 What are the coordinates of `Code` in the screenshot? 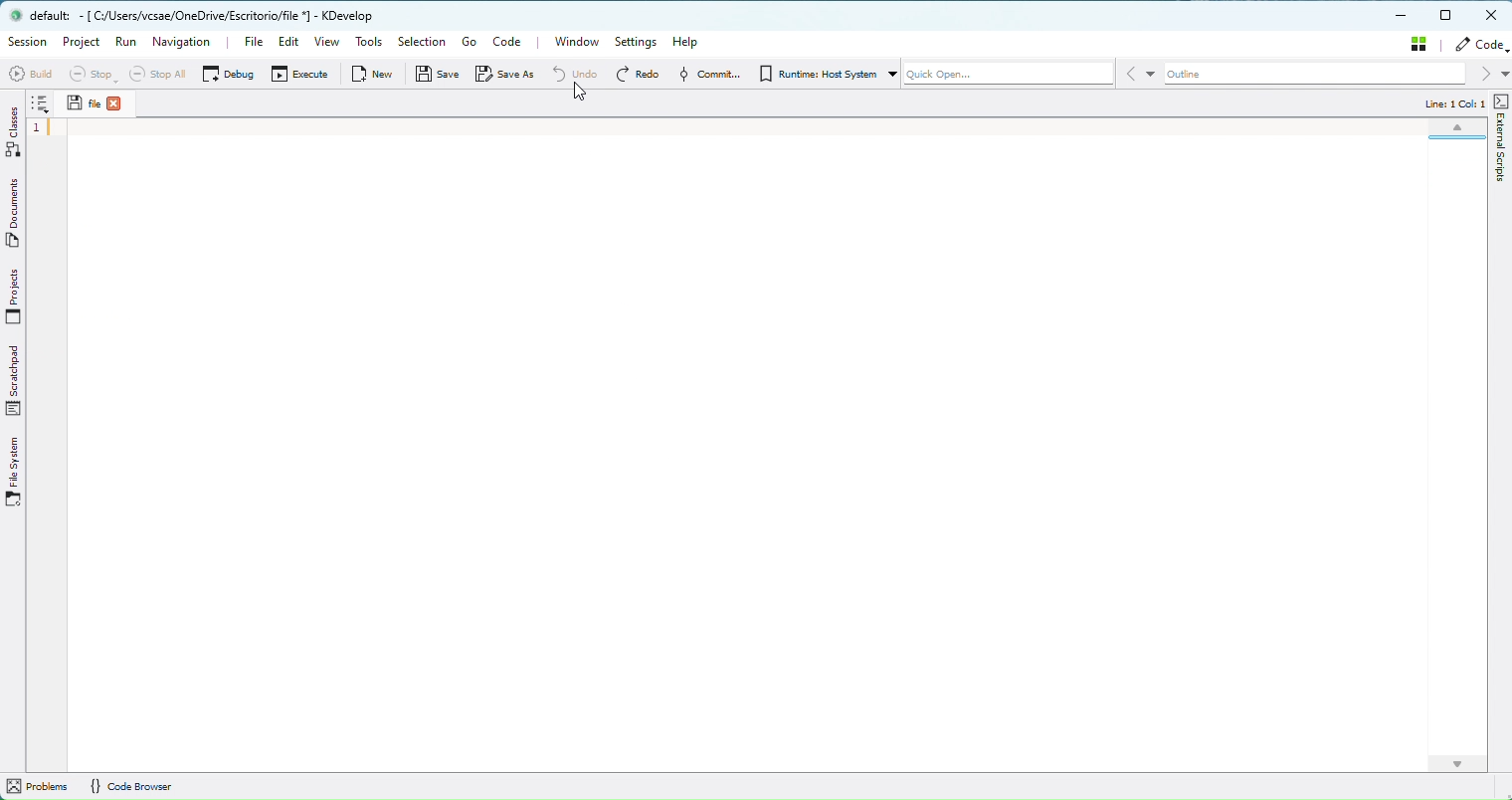 It's located at (1480, 44).